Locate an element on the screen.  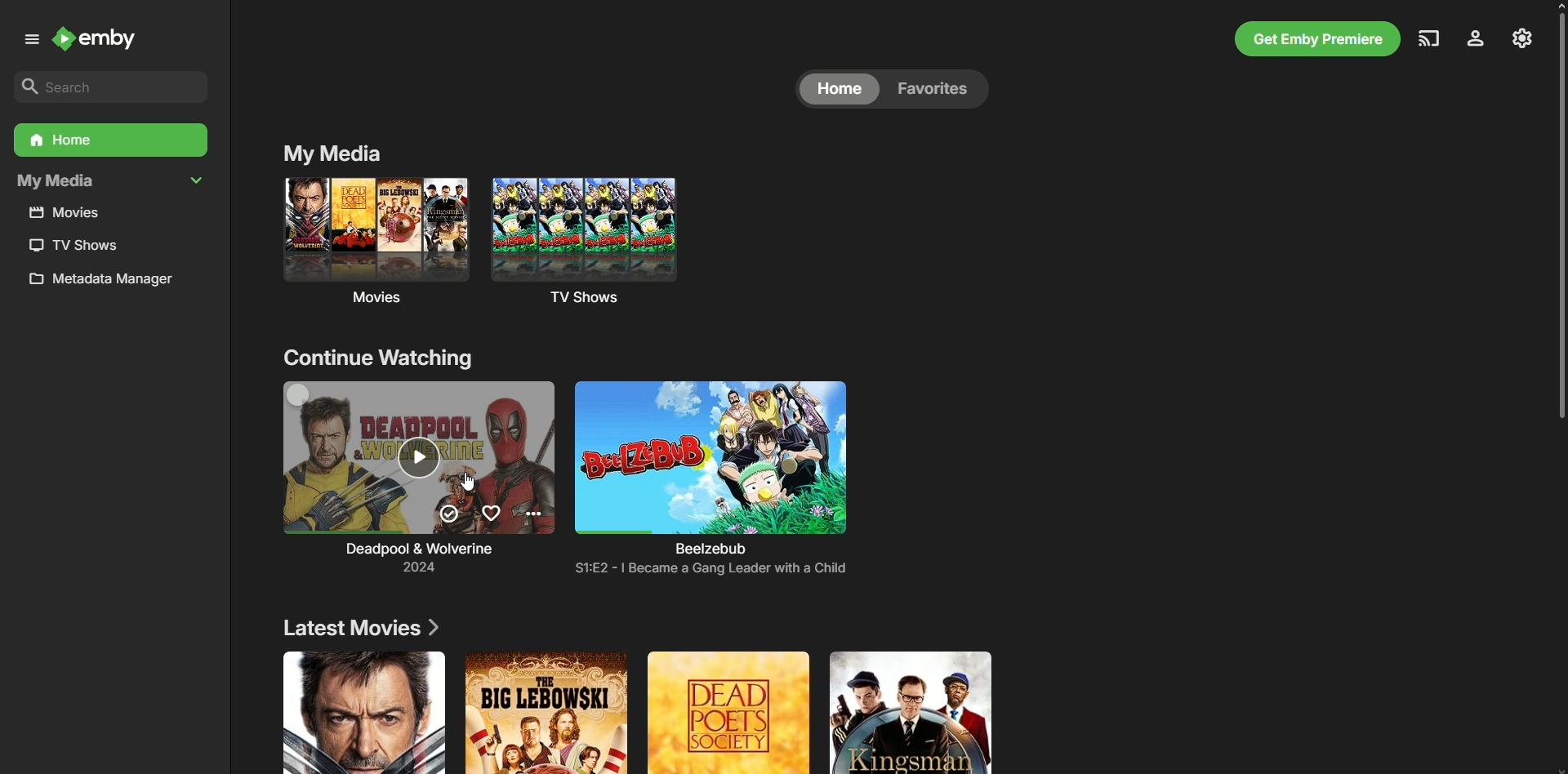
S1:E2 - I Became a Gang Leader with a Child is located at coordinates (709, 568).